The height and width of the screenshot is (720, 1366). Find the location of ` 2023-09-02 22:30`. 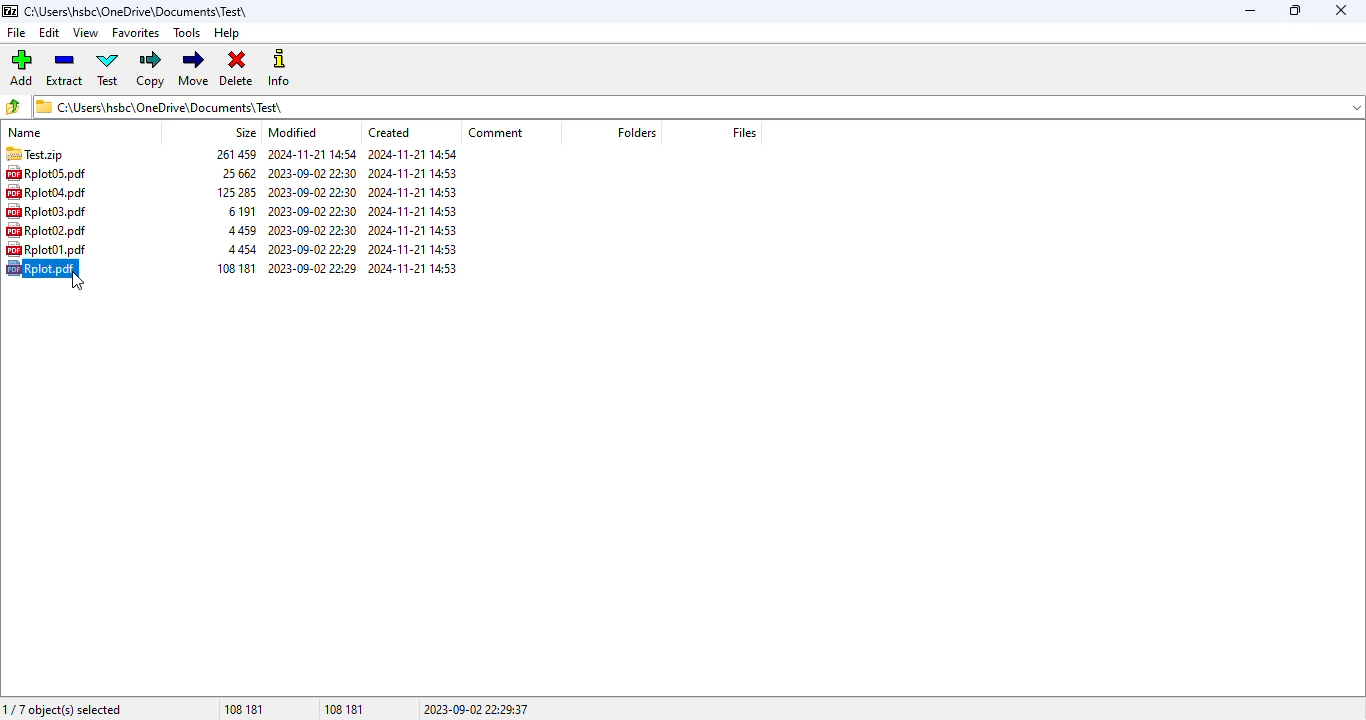

 2023-09-02 22:30 is located at coordinates (308, 229).